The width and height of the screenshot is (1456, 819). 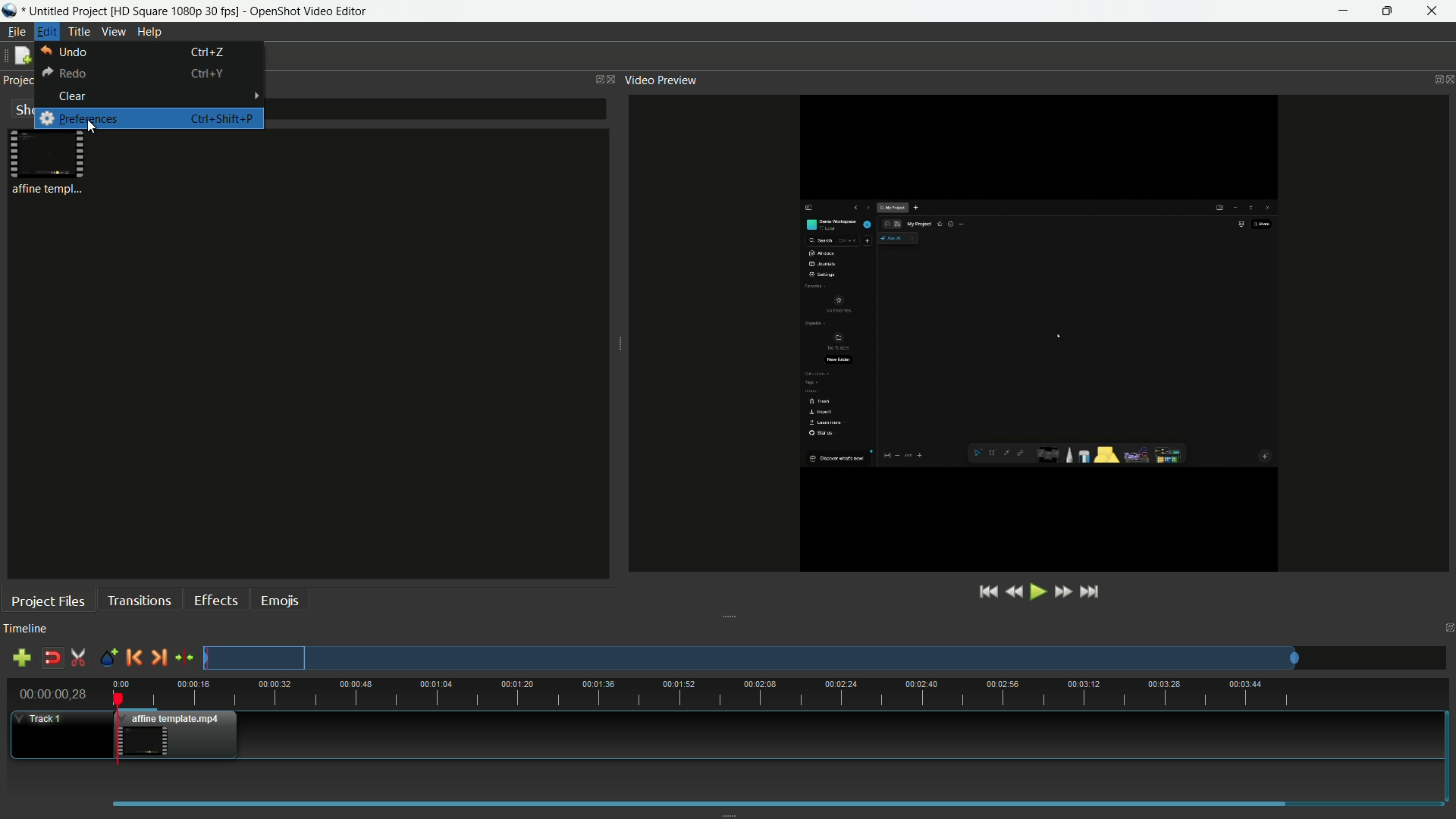 I want to click on redo, so click(x=67, y=74).